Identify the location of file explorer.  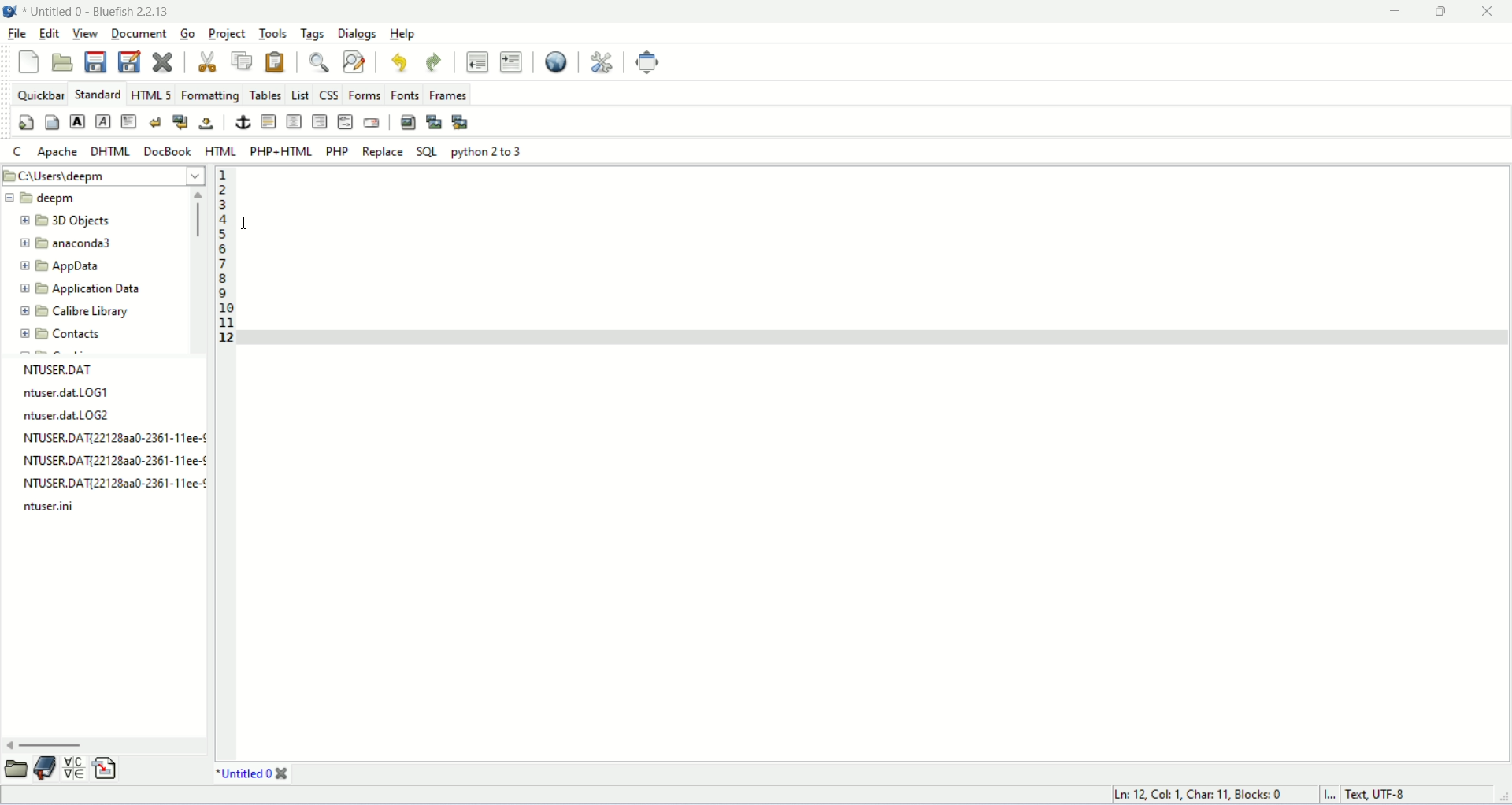
(17, 771).